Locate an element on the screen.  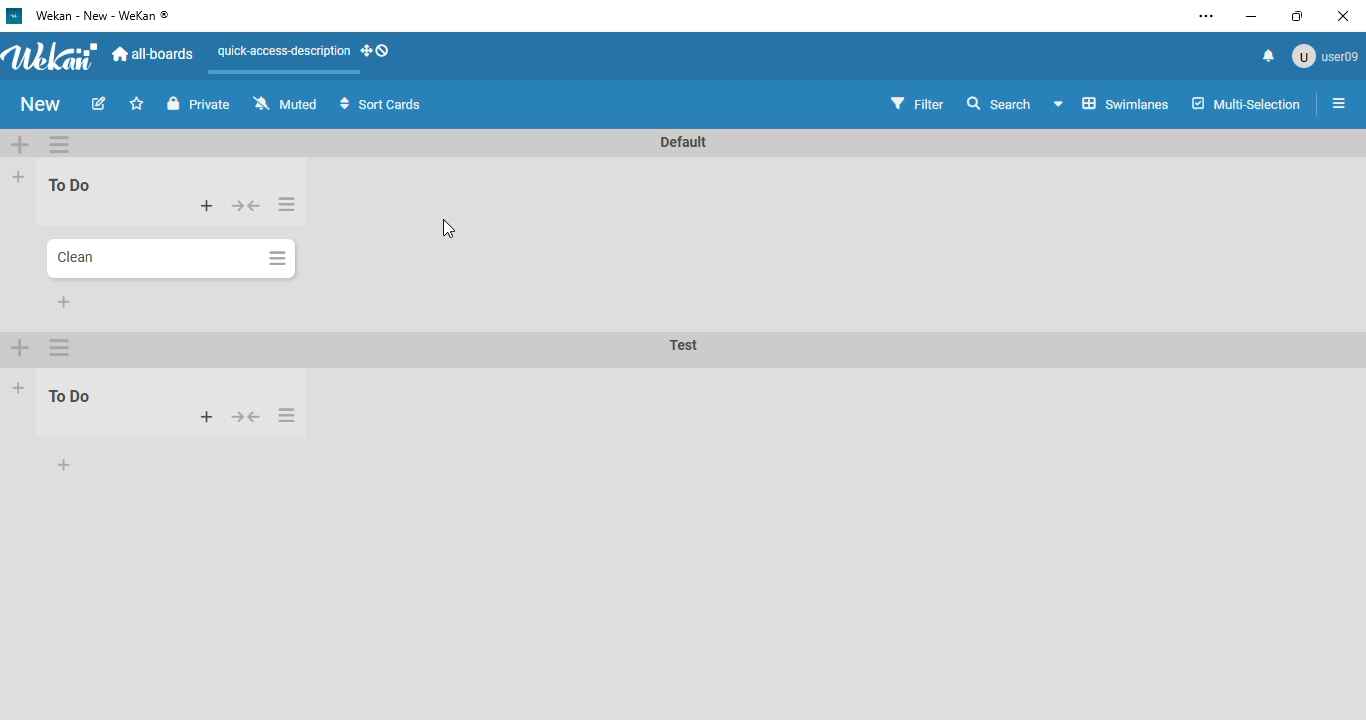
muted is located at coordinates (286, 102).